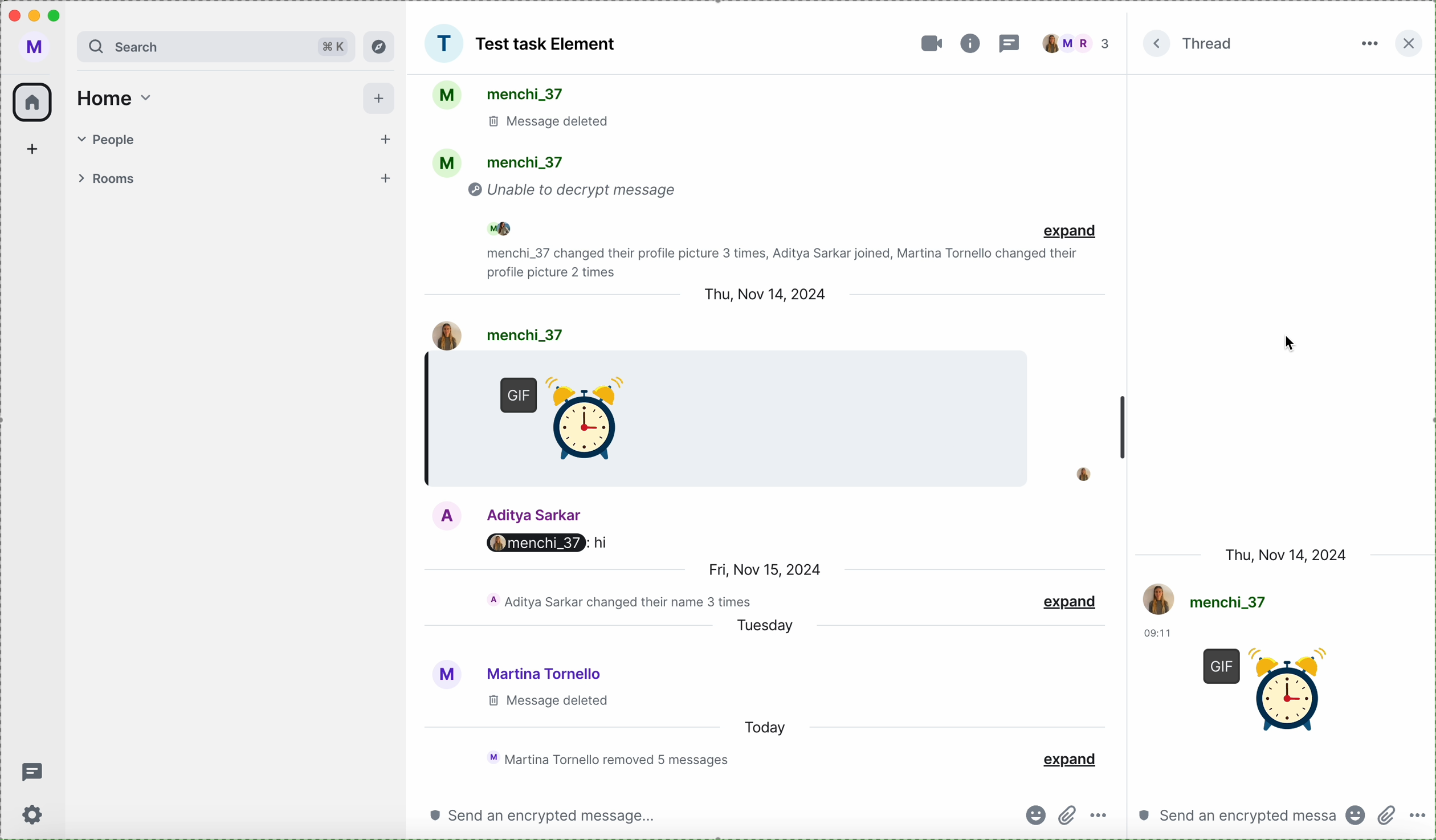 This screenshot has width=1436, height=840. Describe the element at coordinates (572, 425) in the screenshot. I see `GIF sended` at that location.